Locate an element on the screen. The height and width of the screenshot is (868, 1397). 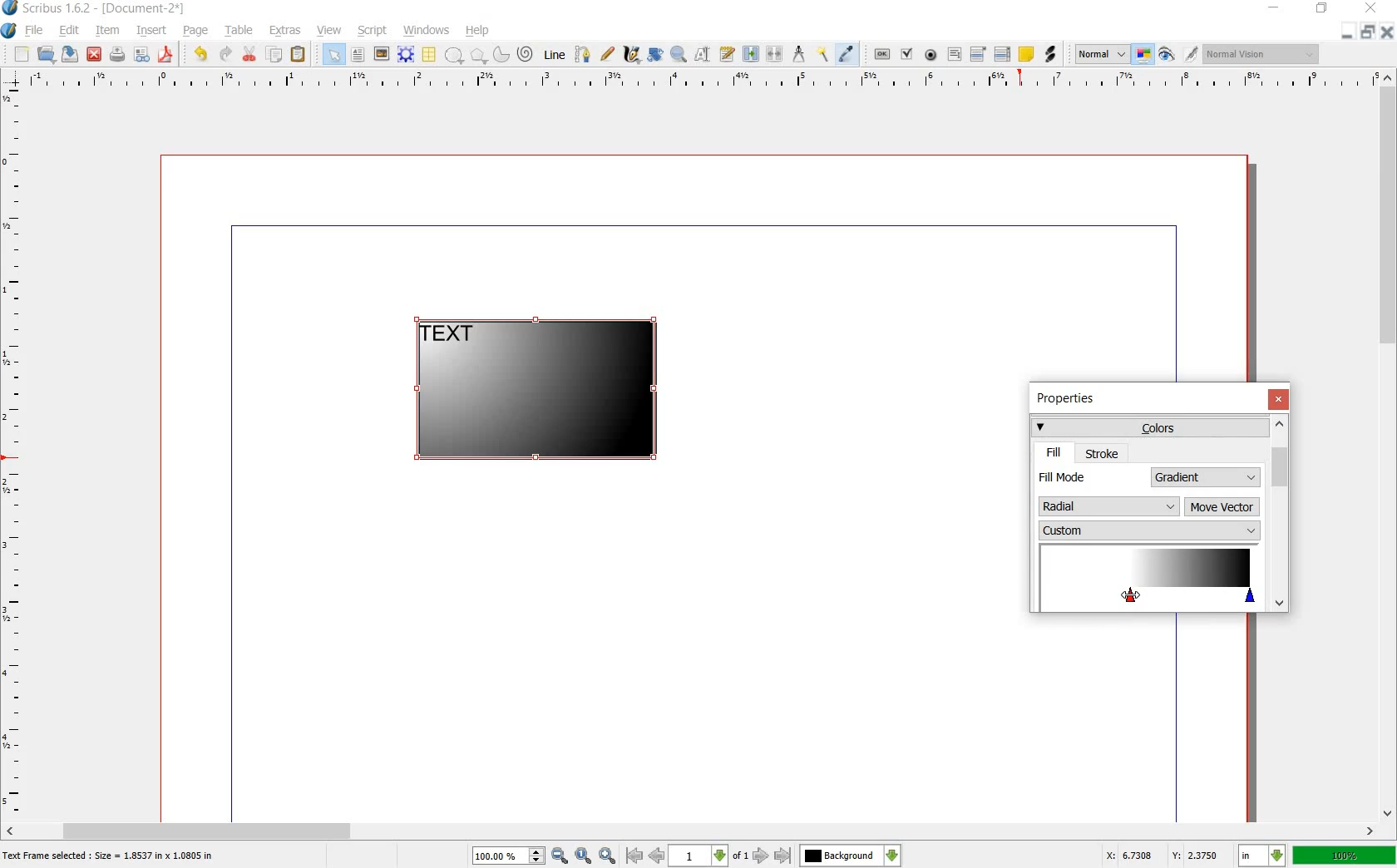
save is located at coordinates (72, 54).